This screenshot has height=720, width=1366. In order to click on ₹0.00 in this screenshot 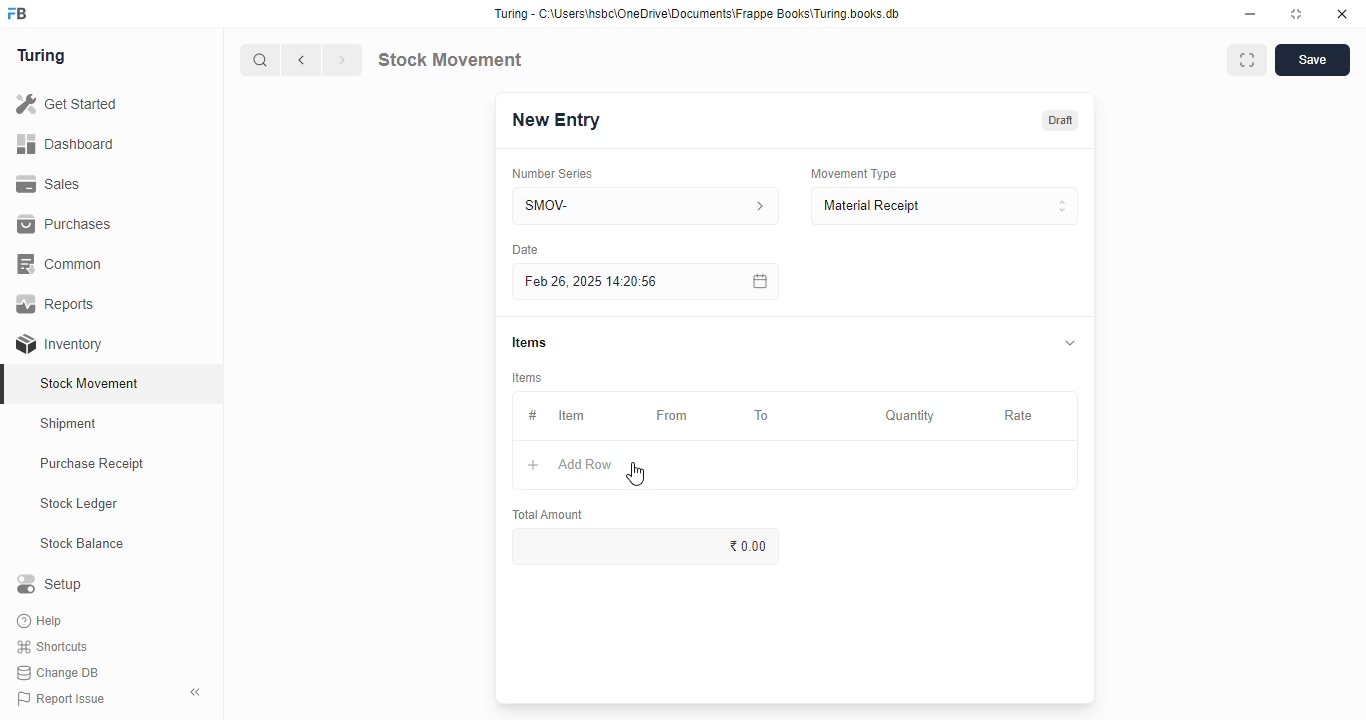, I will do `click(647, 546)`.